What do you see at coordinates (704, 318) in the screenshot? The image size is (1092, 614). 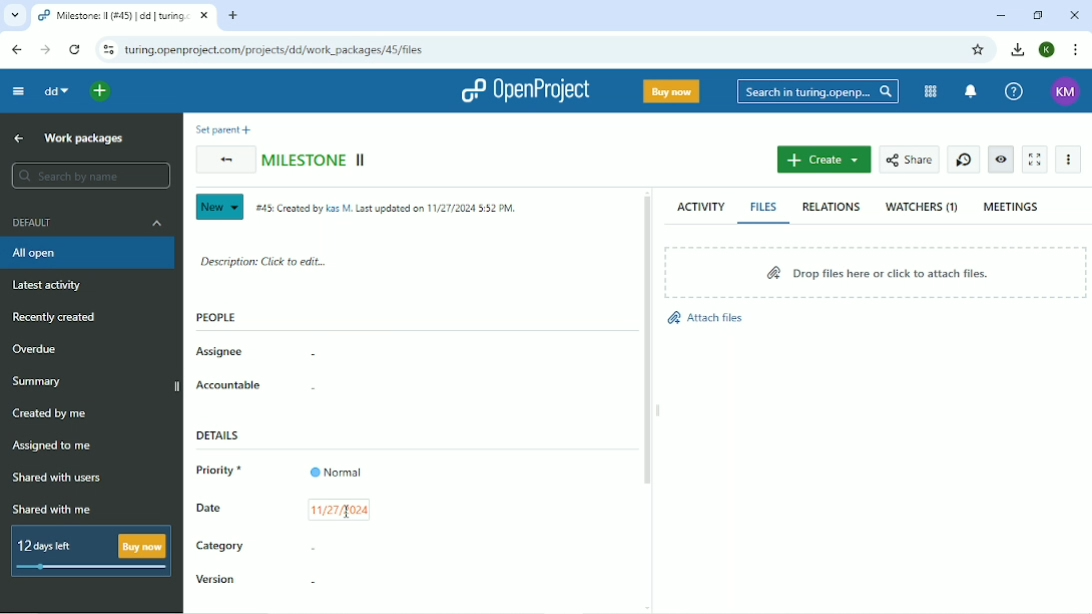 I see `Attach files` at bounding box center [704, 318].